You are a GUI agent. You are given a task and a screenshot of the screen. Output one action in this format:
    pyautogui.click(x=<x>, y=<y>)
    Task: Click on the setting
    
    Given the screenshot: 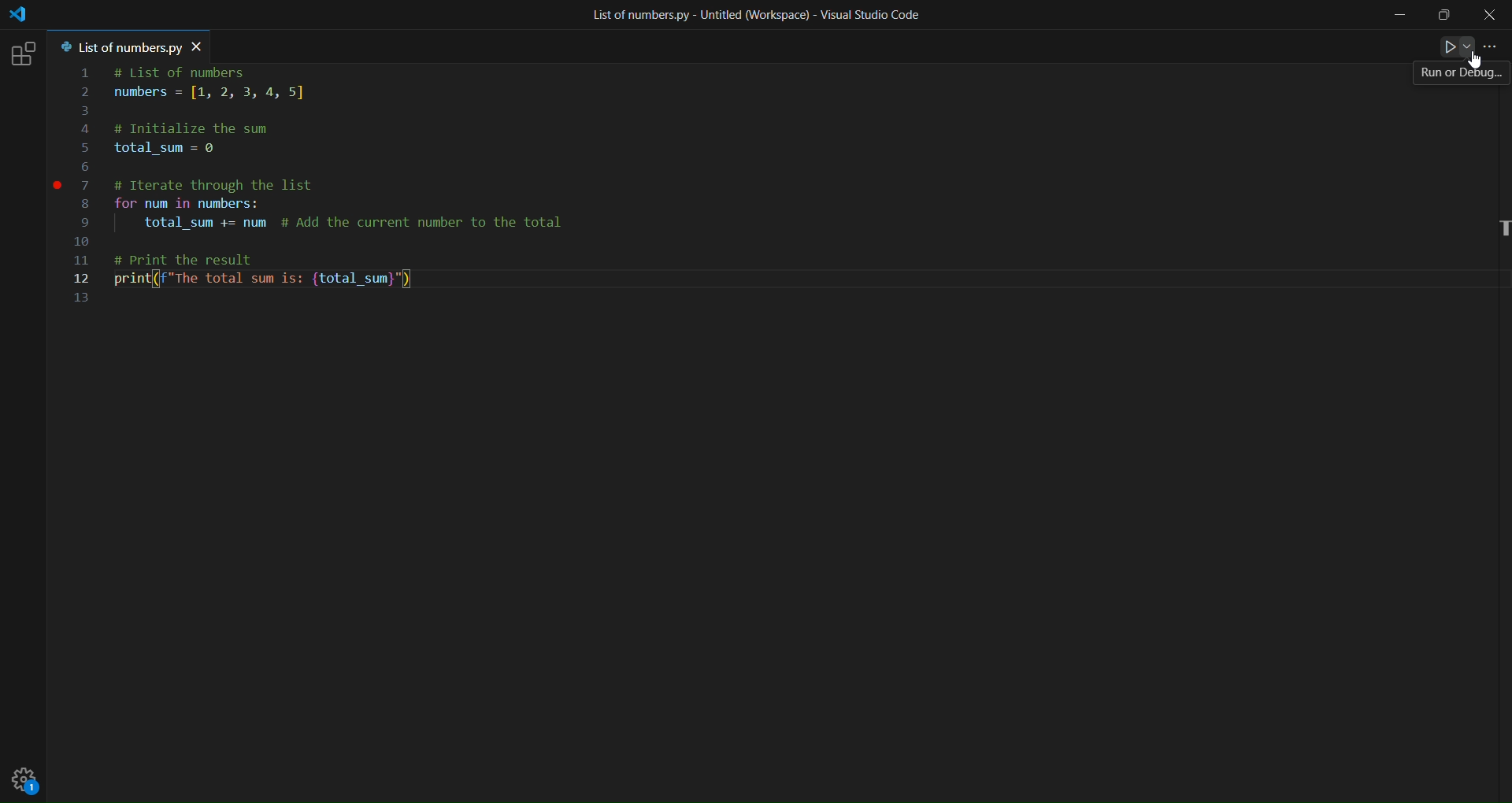 What is the action you would take?
    pyautogui.click(x=29, y=778)
    